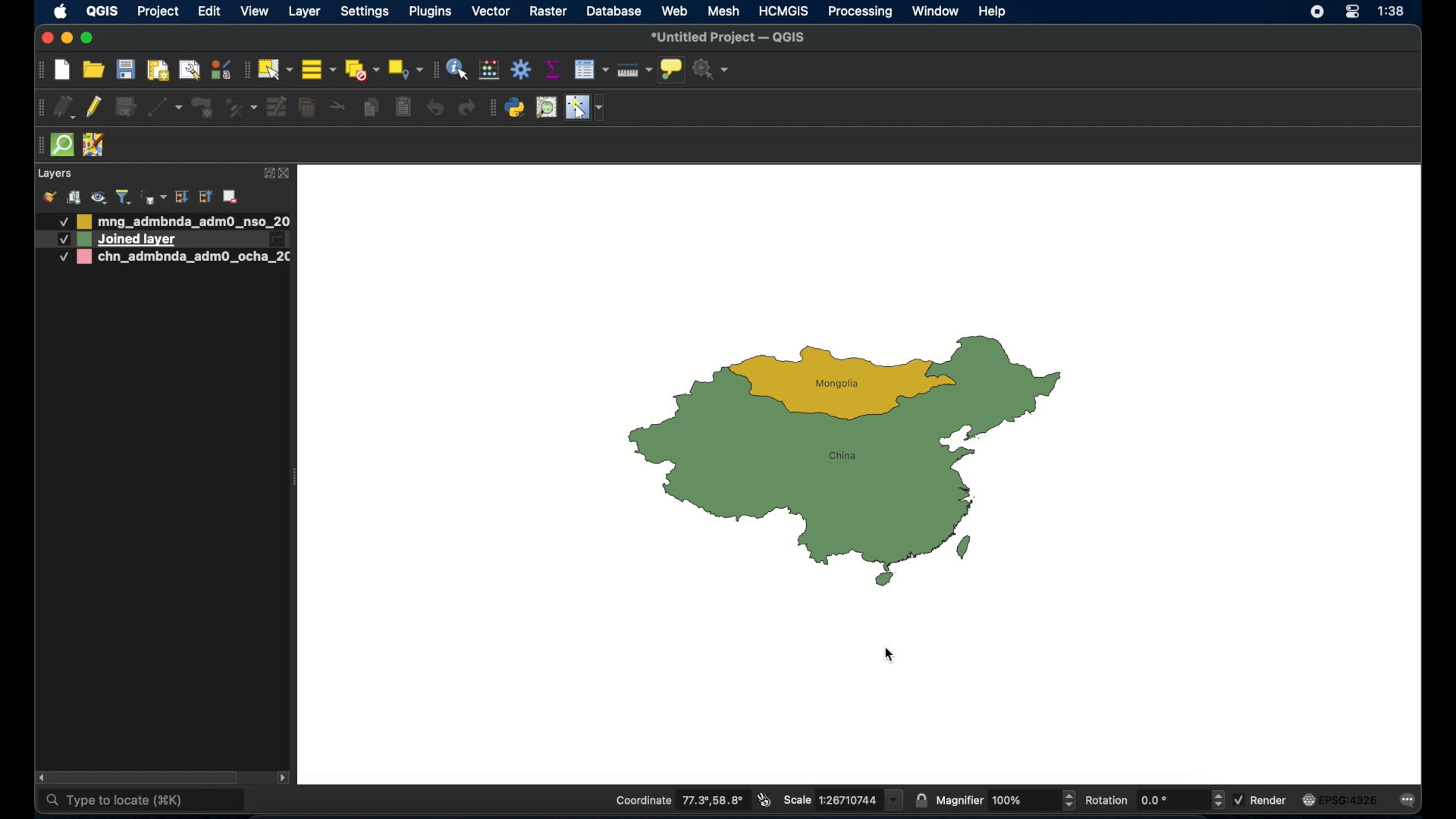 This screenshot has height=819, width=1456. What do you see at coordinates (675, 11) in the screenshot?
I see `web` at bounding box center [675, 11].